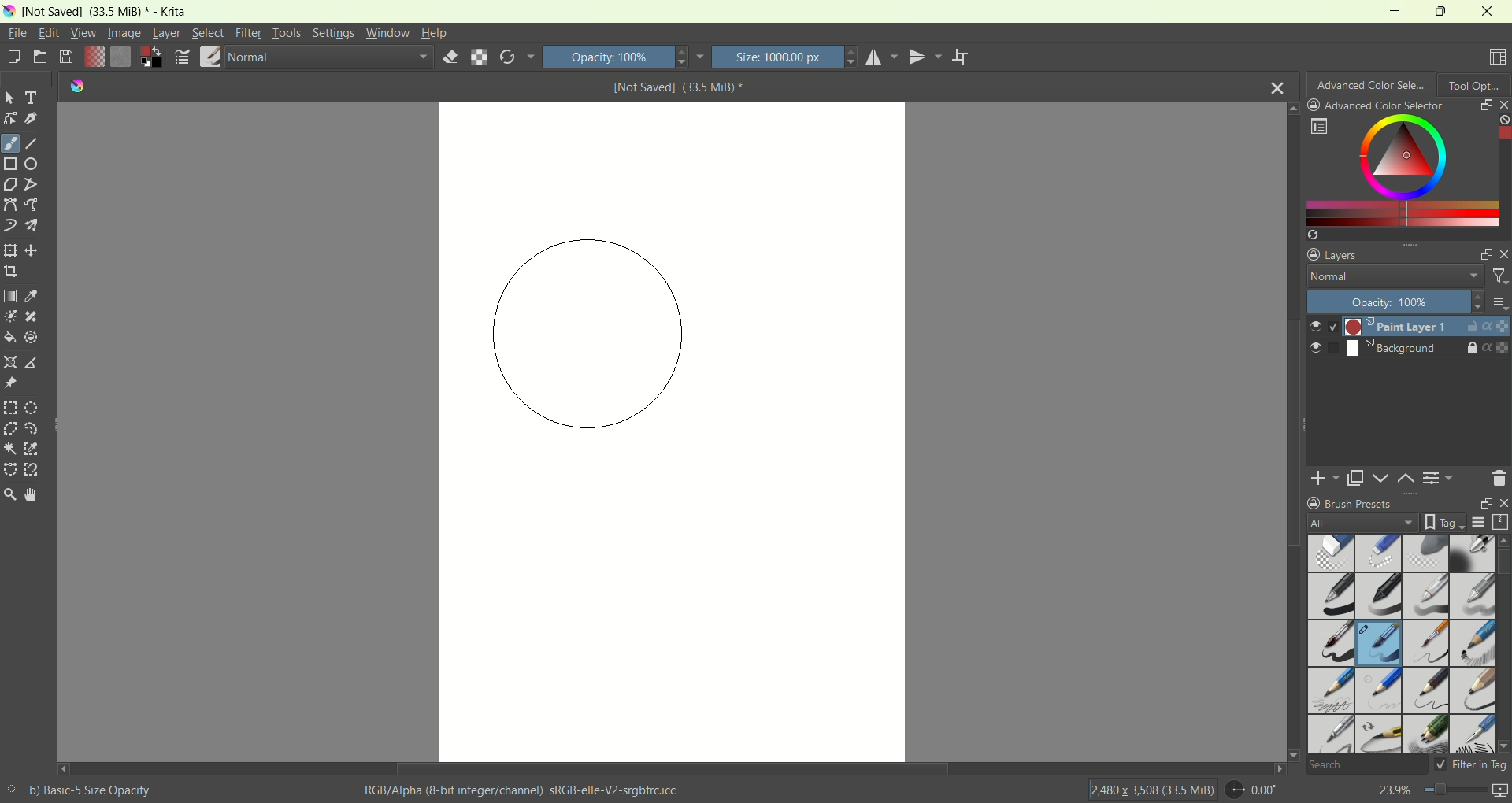 Image resolution: width=1512 pixels, height=803 pixels. Describe the element at coordinates (9, 494) in the screenshot. I see `zoom` at that location.